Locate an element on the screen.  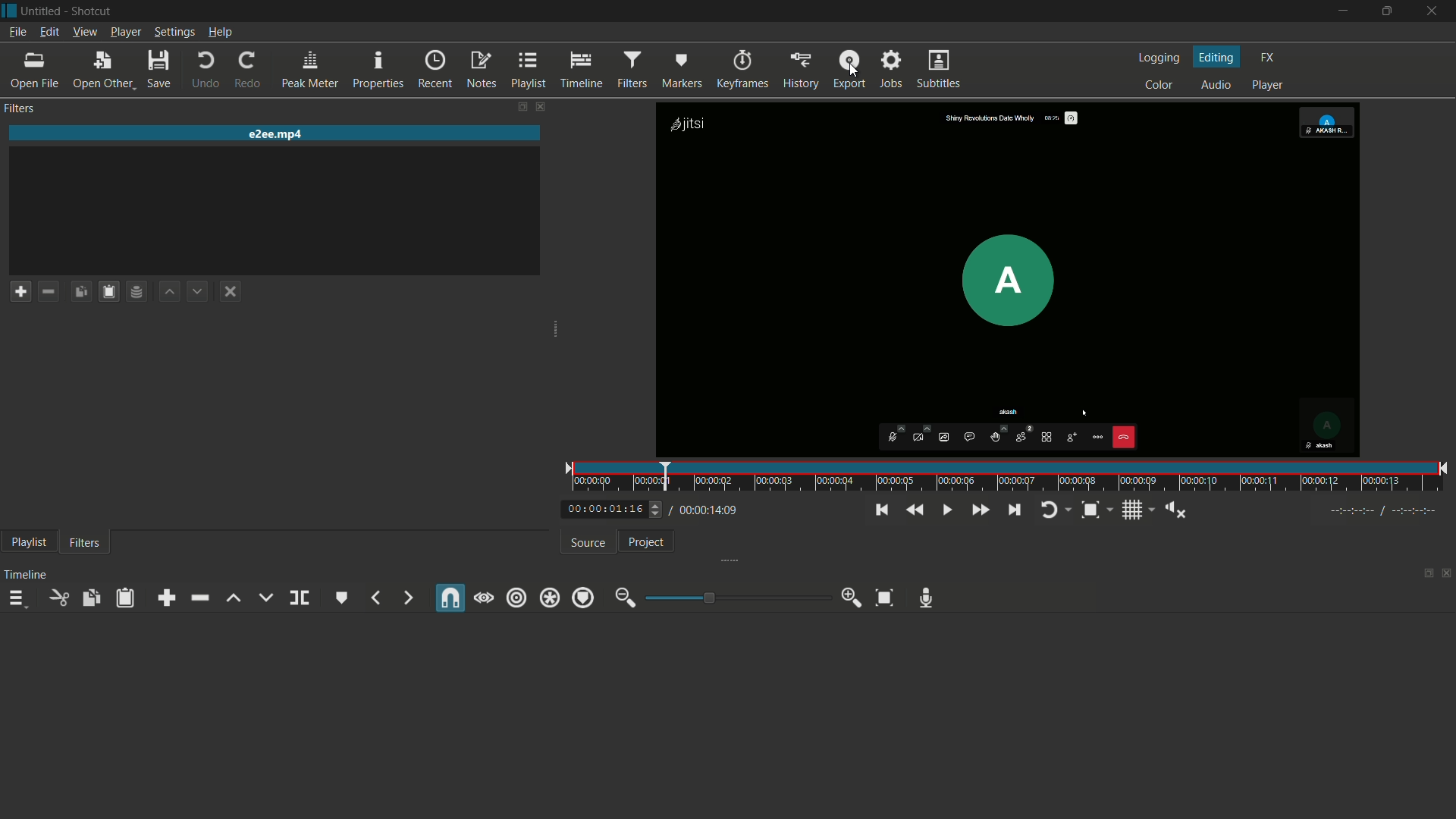
time is located at coordinates (1012, 477).